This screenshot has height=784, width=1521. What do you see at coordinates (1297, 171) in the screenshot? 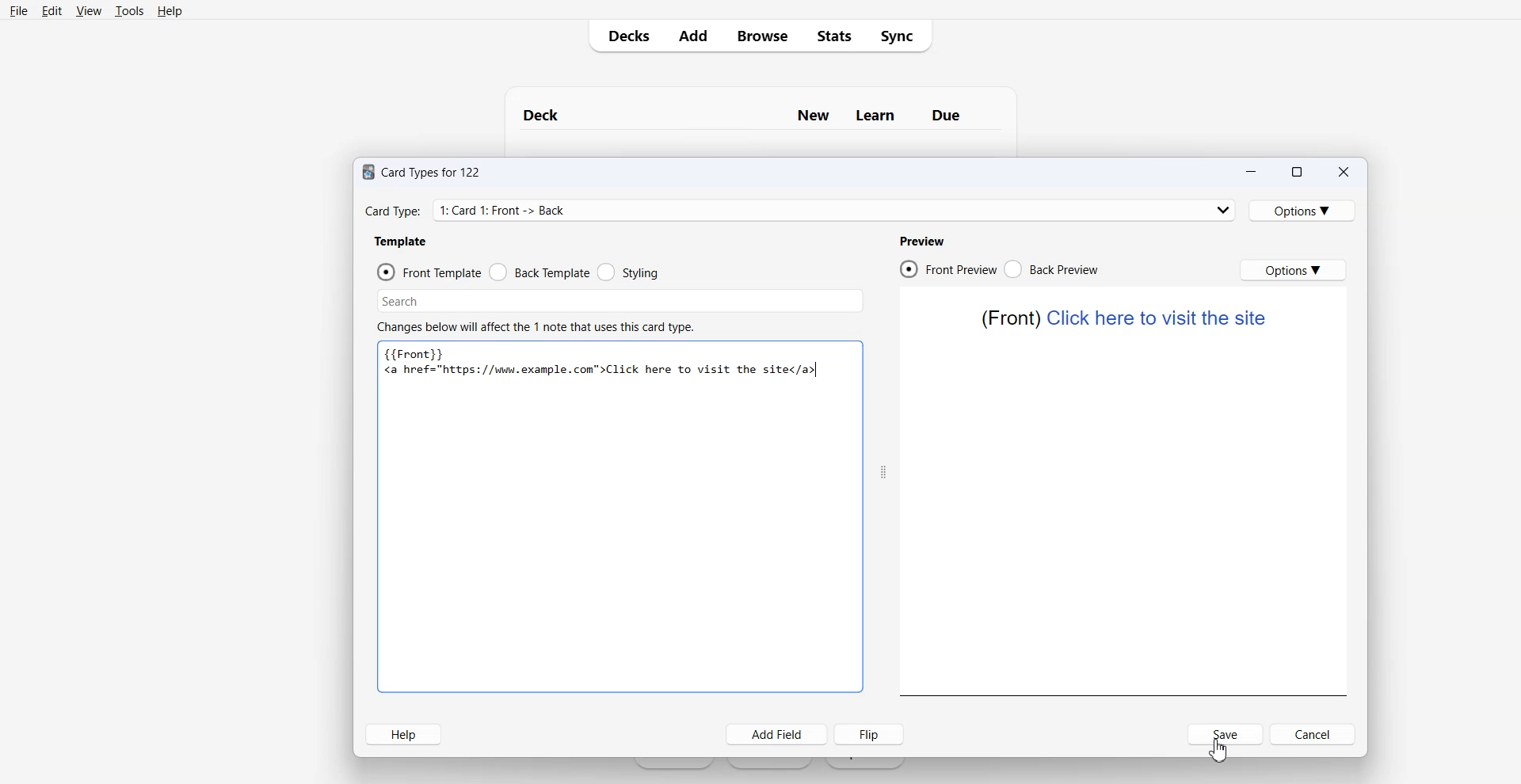
I see `Maximize` at bounding box center [1297, 171].